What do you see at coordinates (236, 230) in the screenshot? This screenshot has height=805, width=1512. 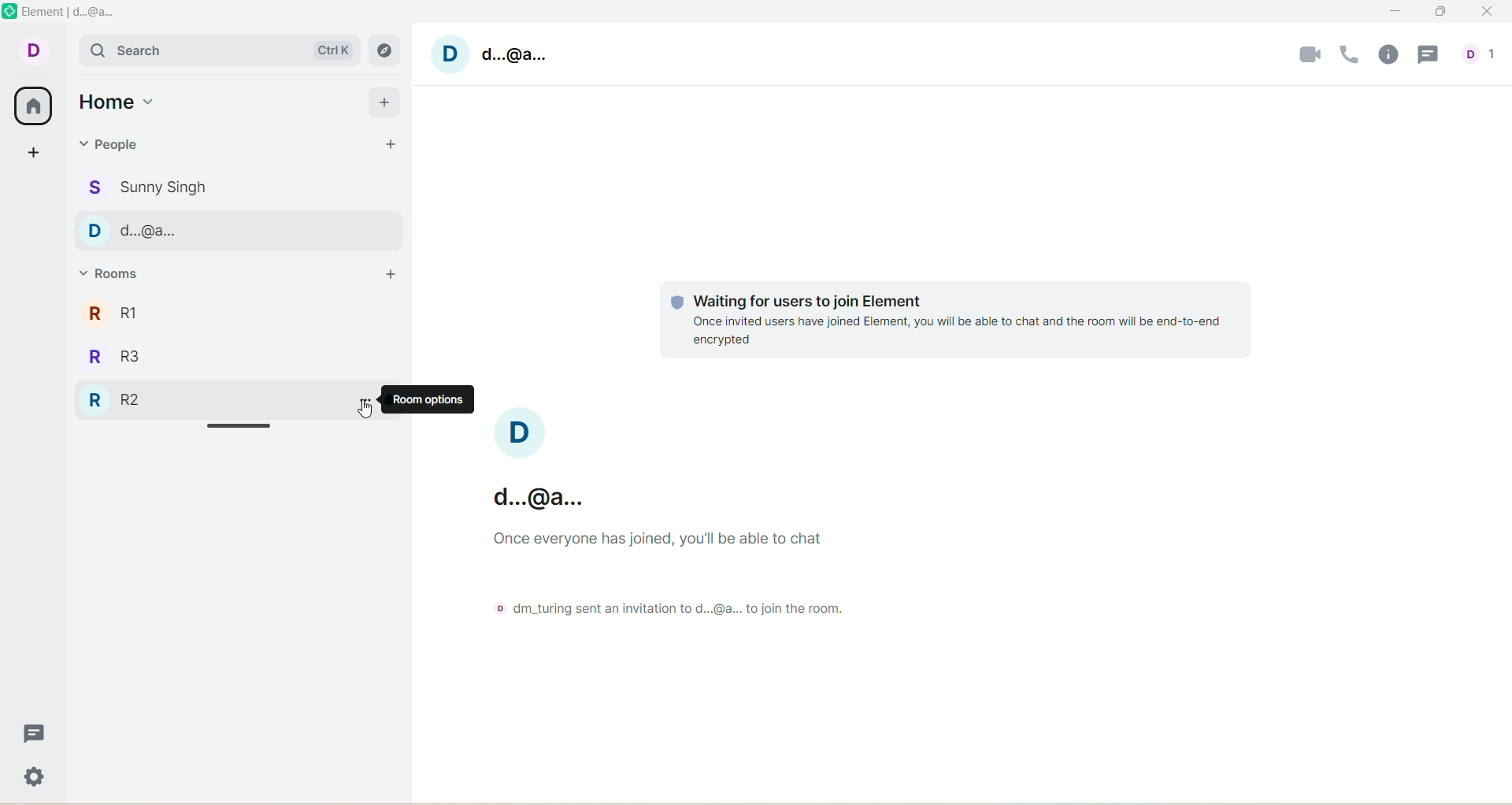 I see `d...@...` at bounding box center [236, 230].